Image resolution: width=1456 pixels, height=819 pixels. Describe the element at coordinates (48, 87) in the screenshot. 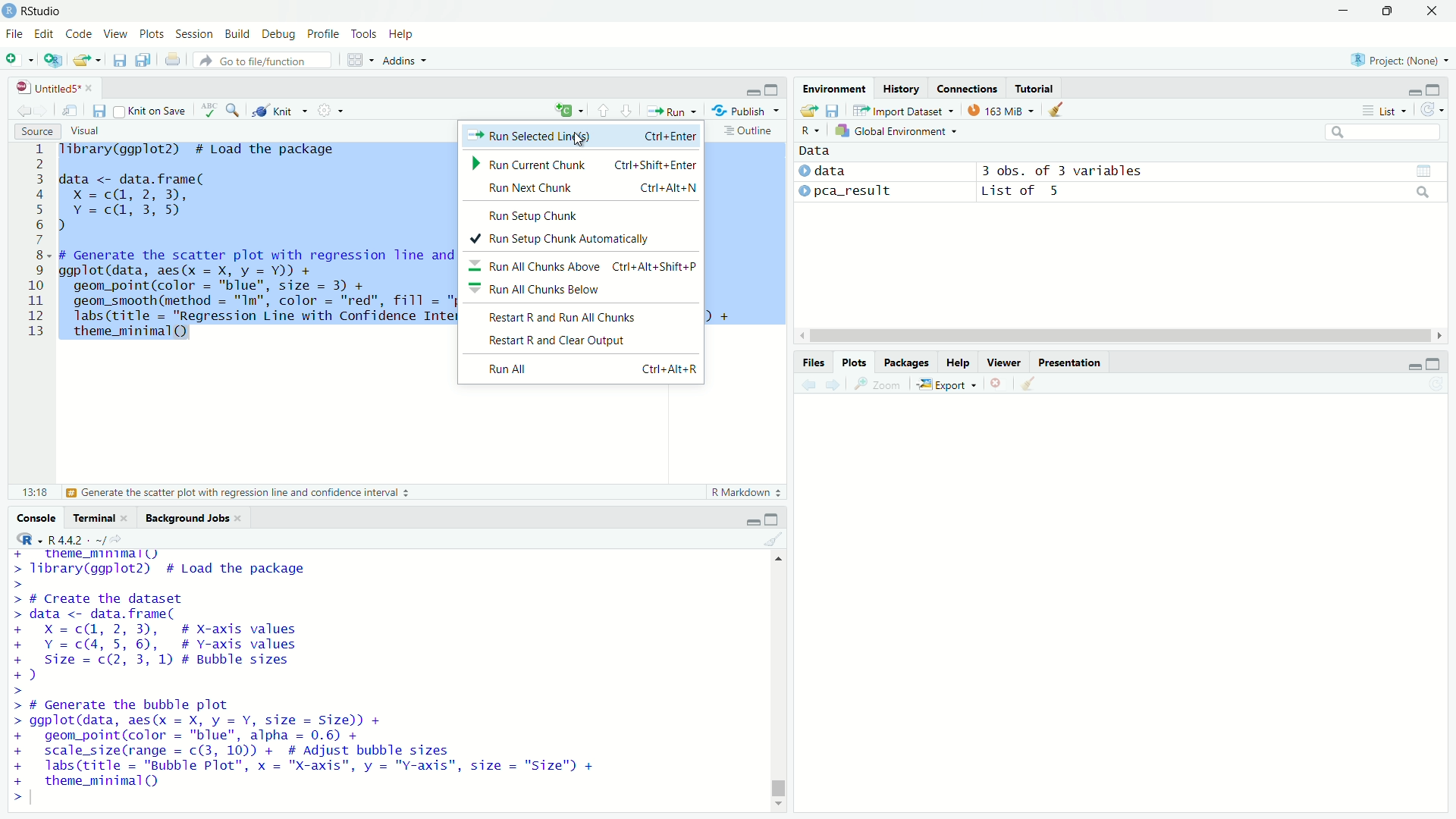

I see `Untitled5*` at that location.